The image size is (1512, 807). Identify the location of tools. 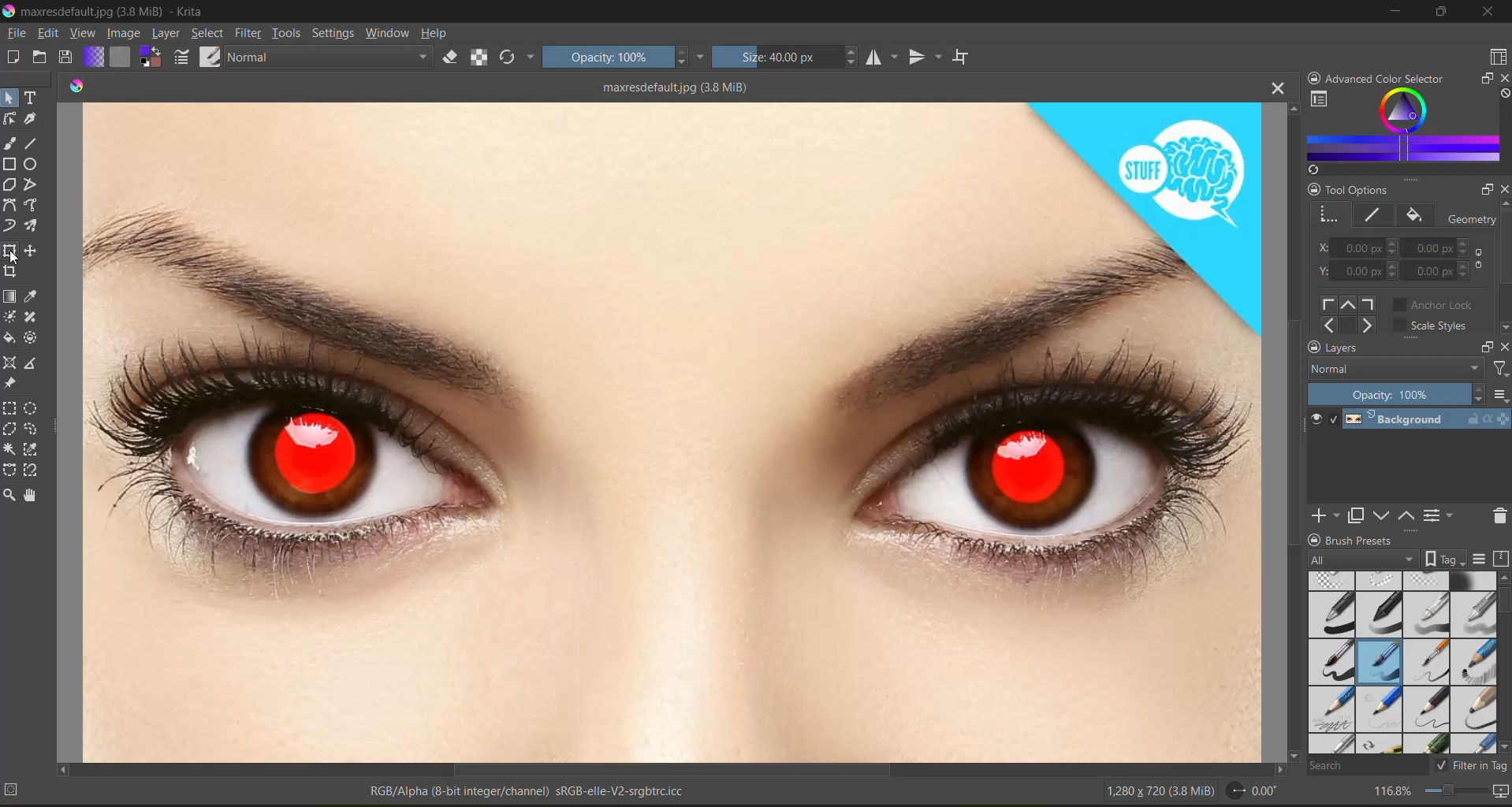
(289, 33).